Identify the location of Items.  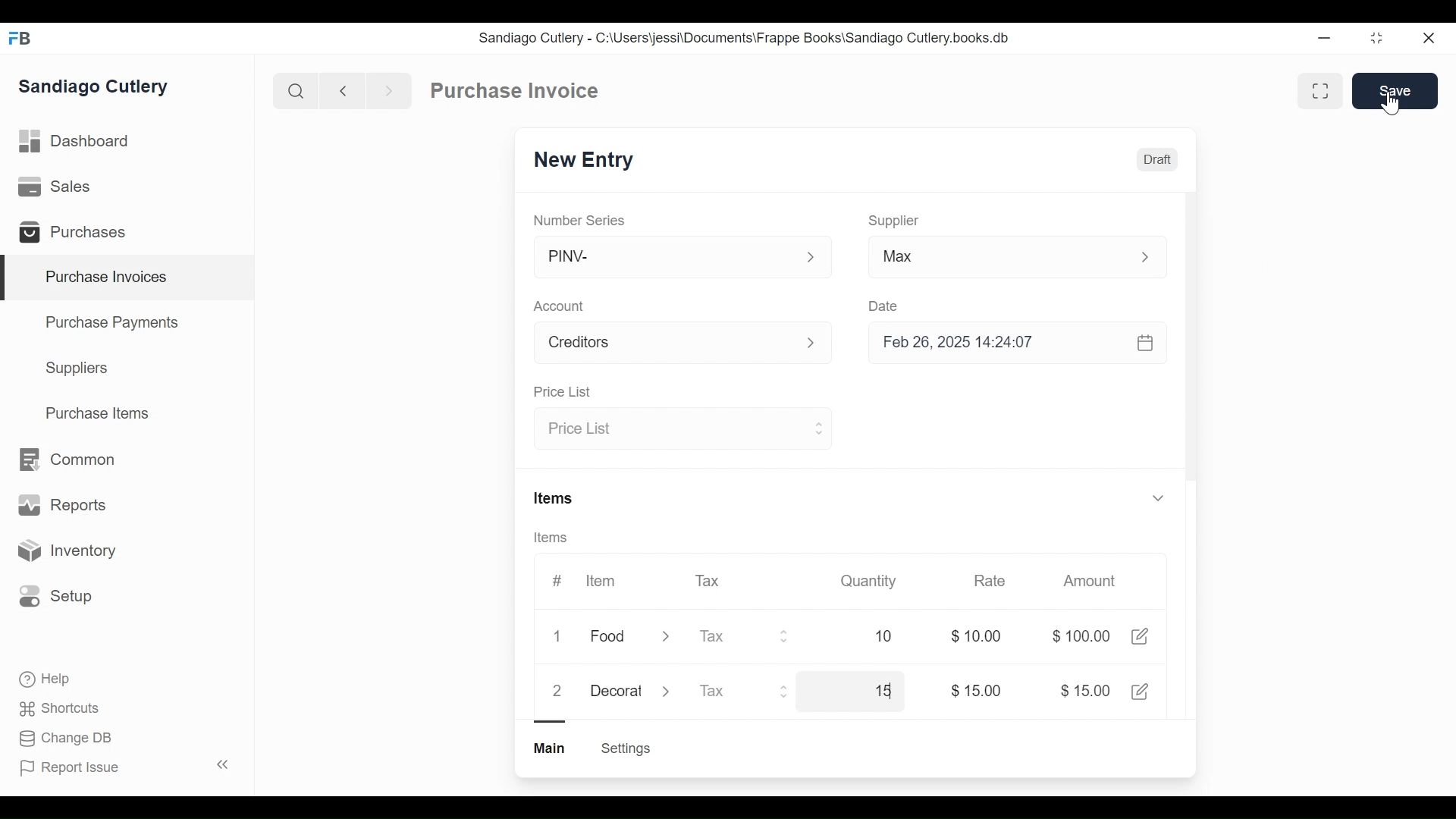
(556, 538).